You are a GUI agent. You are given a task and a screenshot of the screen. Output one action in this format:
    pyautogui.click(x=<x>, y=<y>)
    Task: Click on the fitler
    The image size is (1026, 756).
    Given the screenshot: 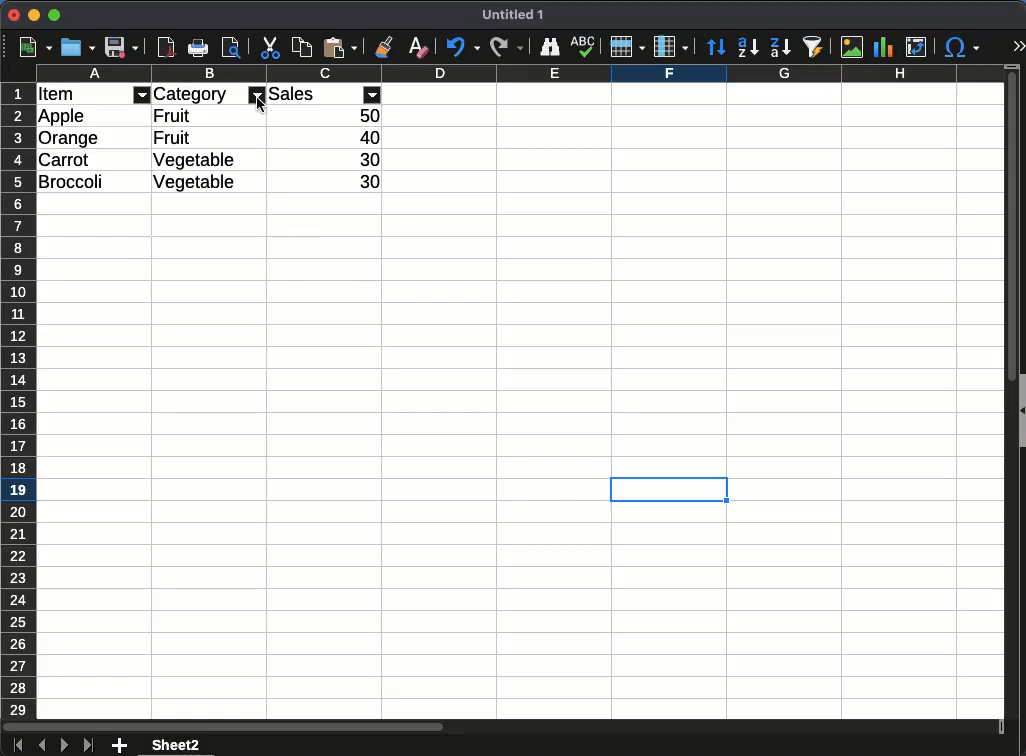 What is the action you would take?
    pyautogui.click(x=374, y=94)
    